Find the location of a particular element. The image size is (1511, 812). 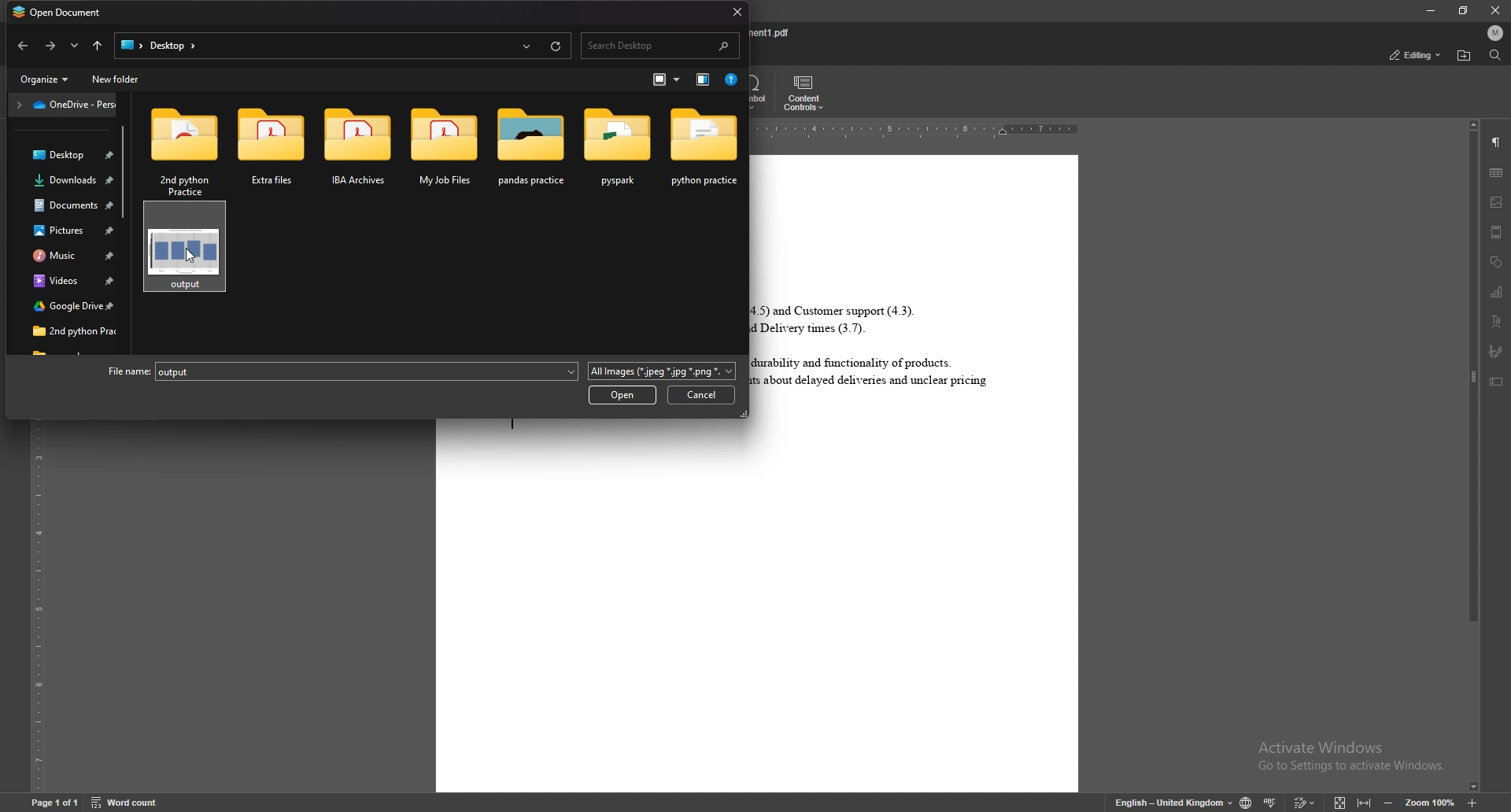

scroll bar is located at coordinates (1472, 456).